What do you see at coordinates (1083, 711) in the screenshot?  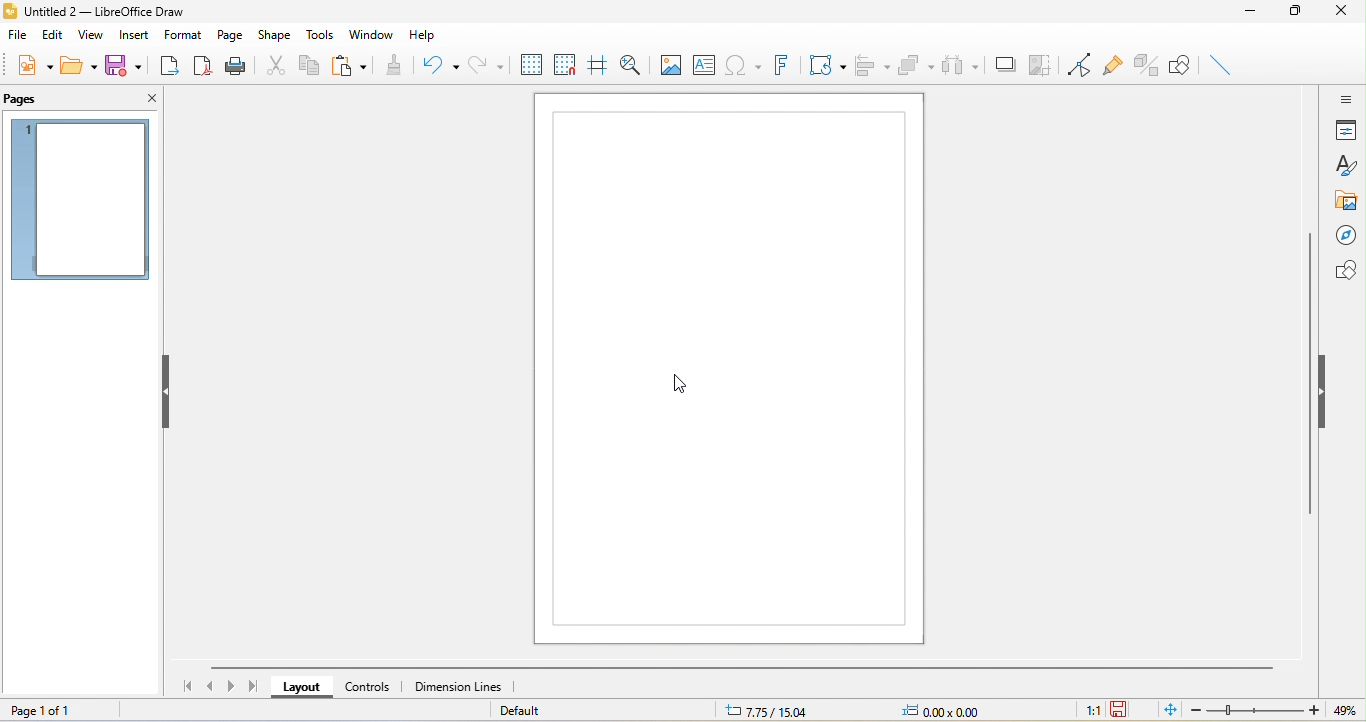 I see `1:1` at bounding box center [1083, 711].